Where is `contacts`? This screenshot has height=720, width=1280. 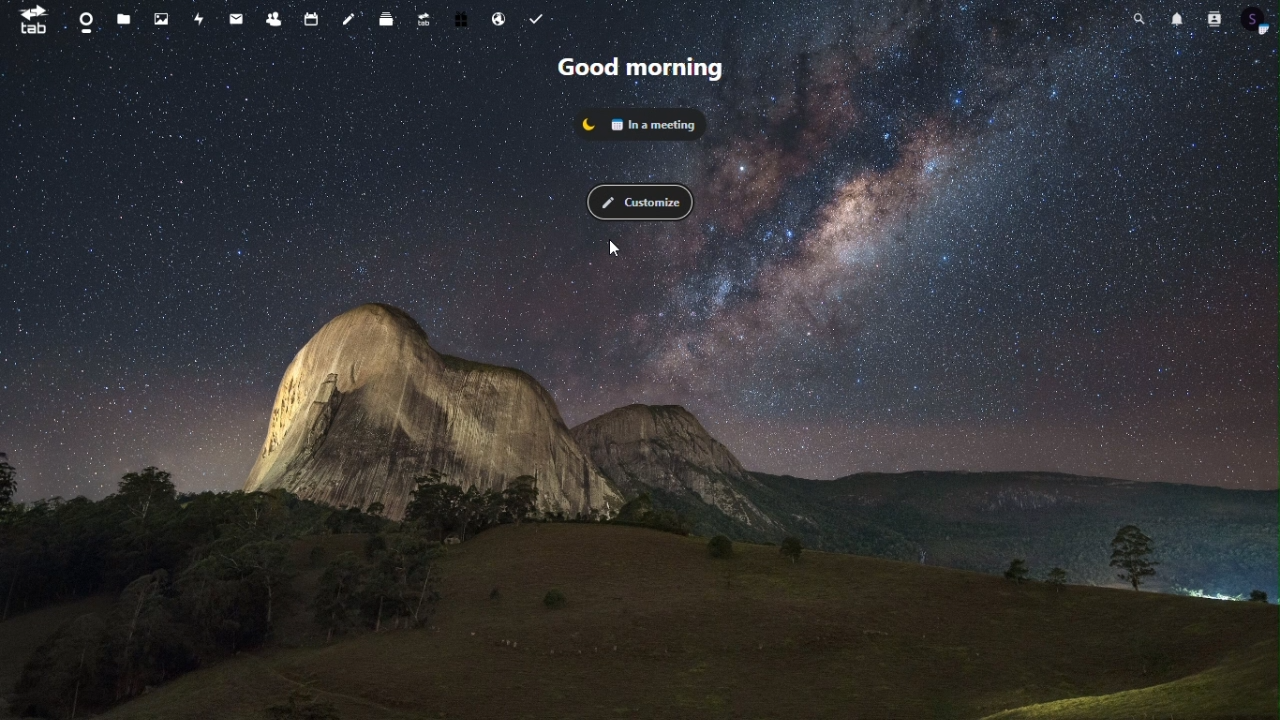
contacts is located at coordinates (1214, 19).